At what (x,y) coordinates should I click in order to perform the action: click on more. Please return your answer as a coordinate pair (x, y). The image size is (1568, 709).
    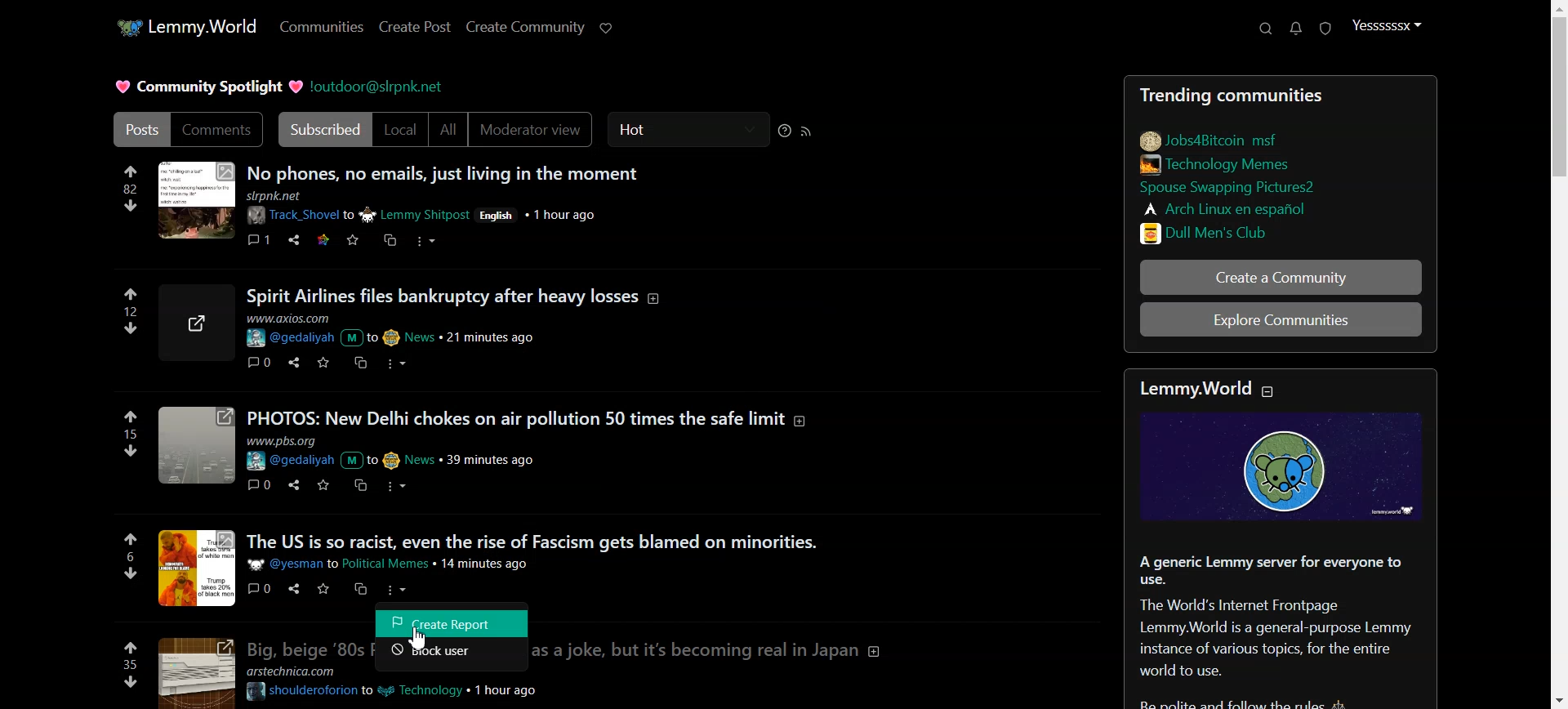
    Looking at the image, I should click on (399, 590).